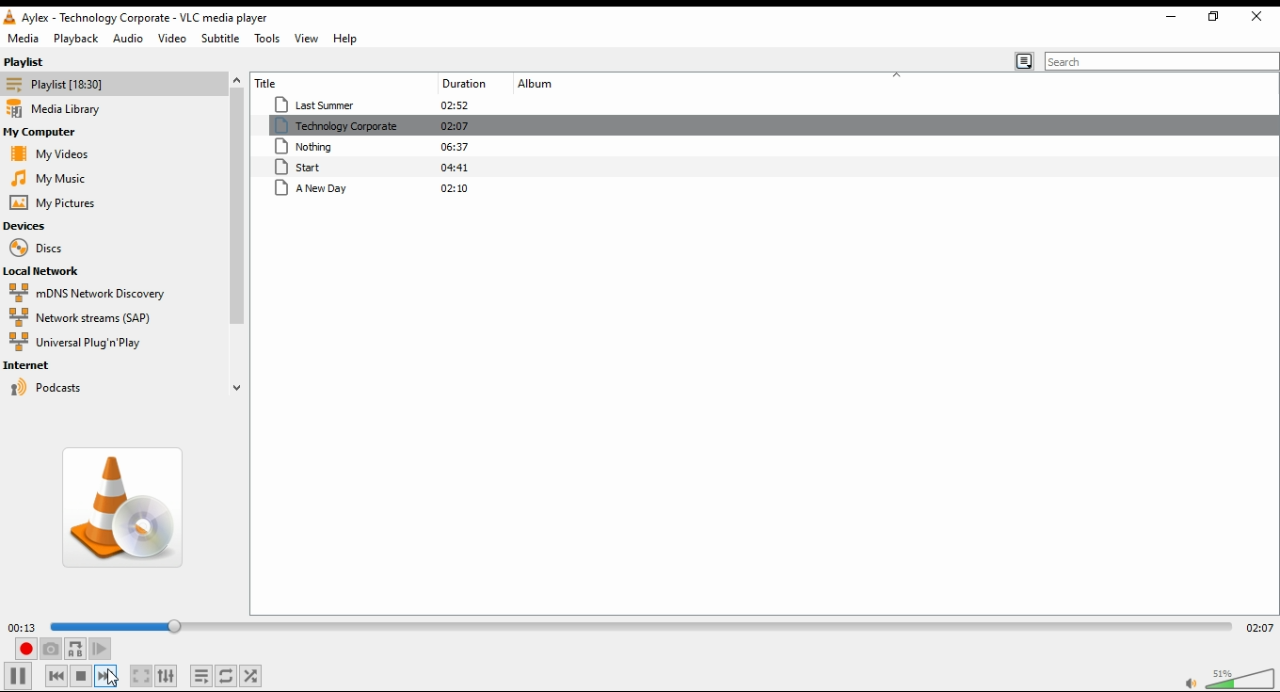 This screenshot has height=692, width=1280. What do you see at coordinates (35, 225) in the screenshot?
I see `devices` at bounding box center [35, 225].